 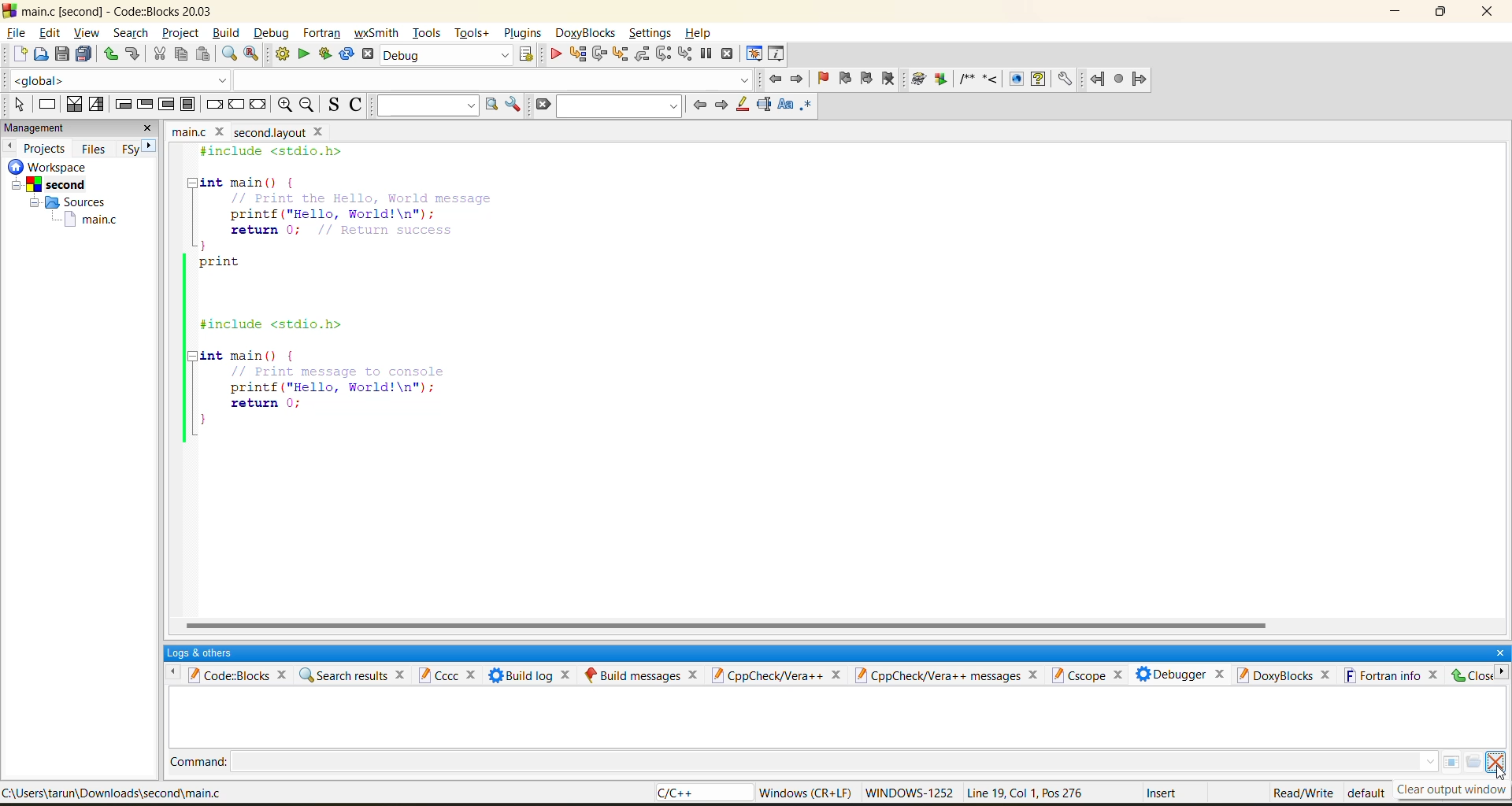 I want to click on step out, so click(x=643, y=58).